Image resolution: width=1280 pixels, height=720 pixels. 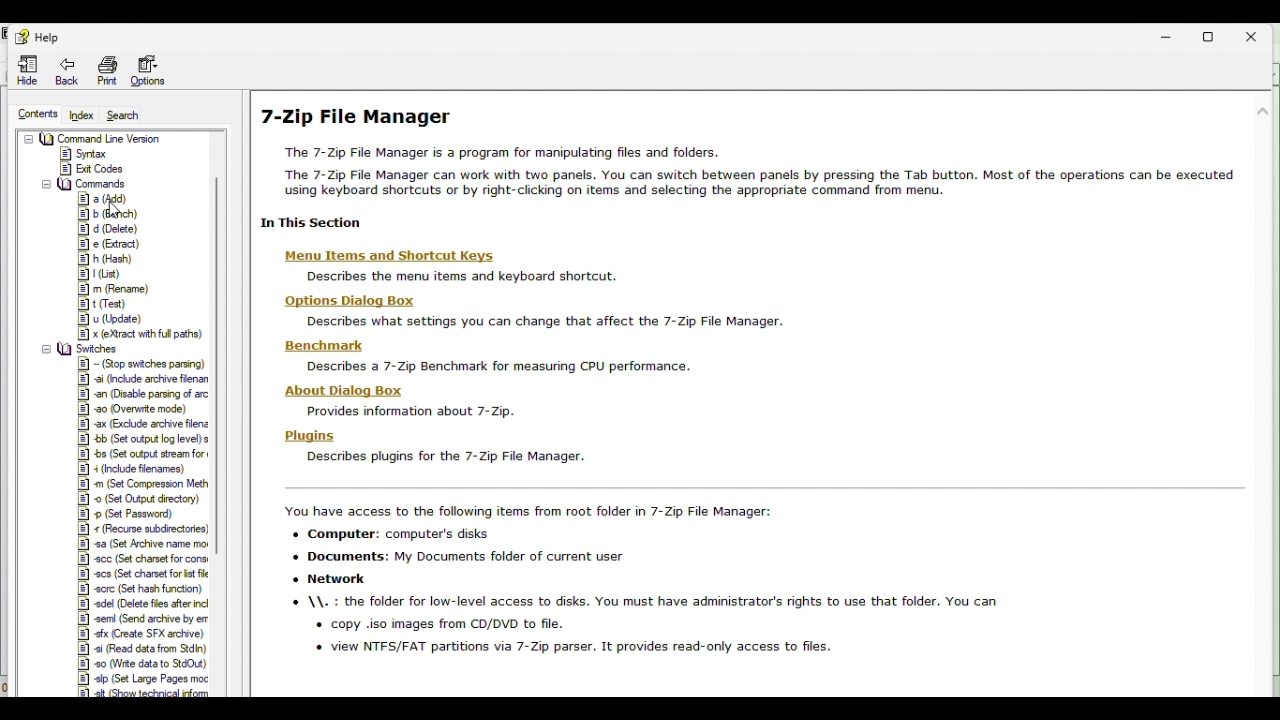 I want to click on ‘About Dialog Box, so click(x=347, y=390).